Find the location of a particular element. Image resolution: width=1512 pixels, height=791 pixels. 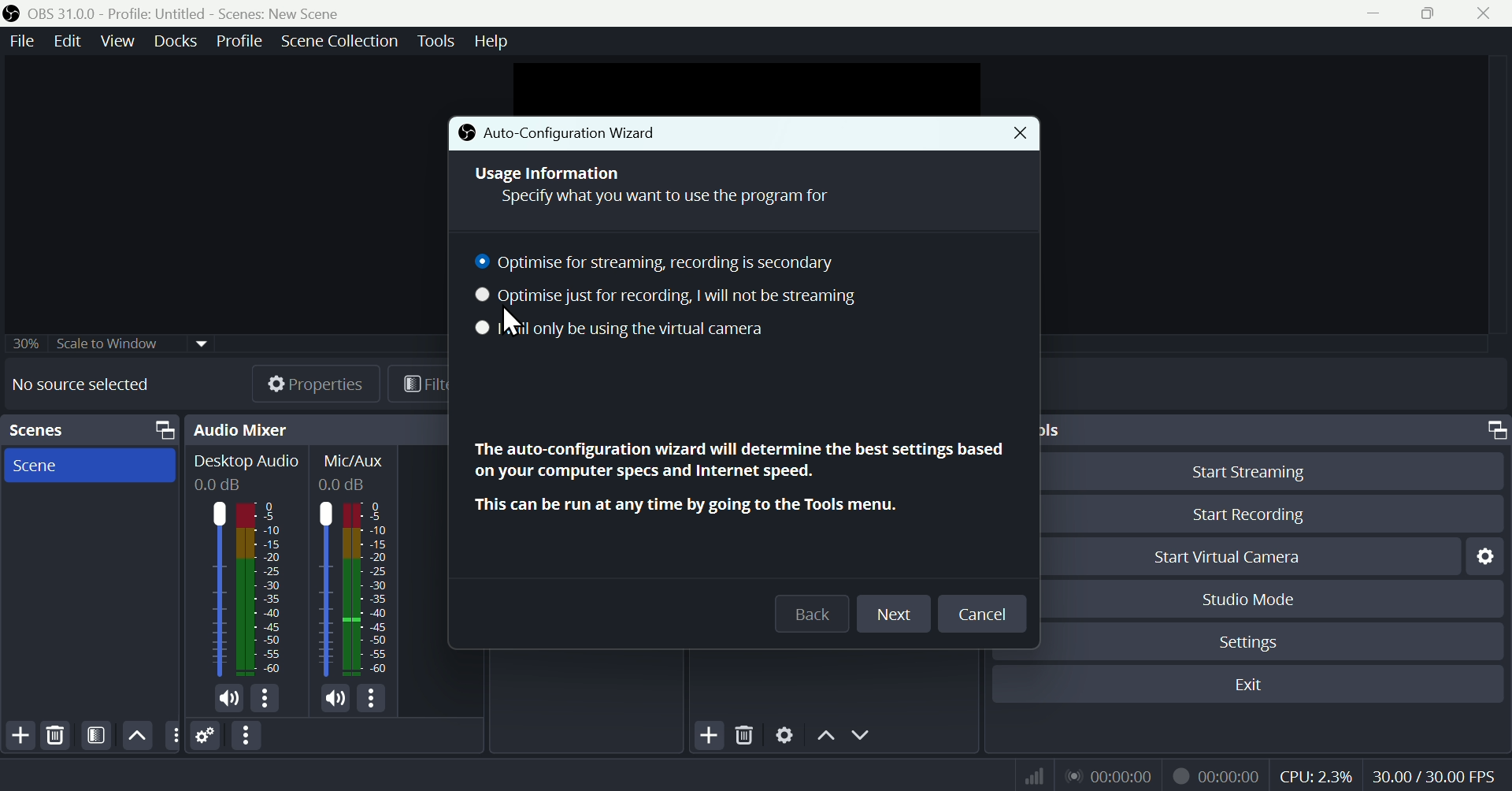

Start Recording is located at coordinates (1270, 514).